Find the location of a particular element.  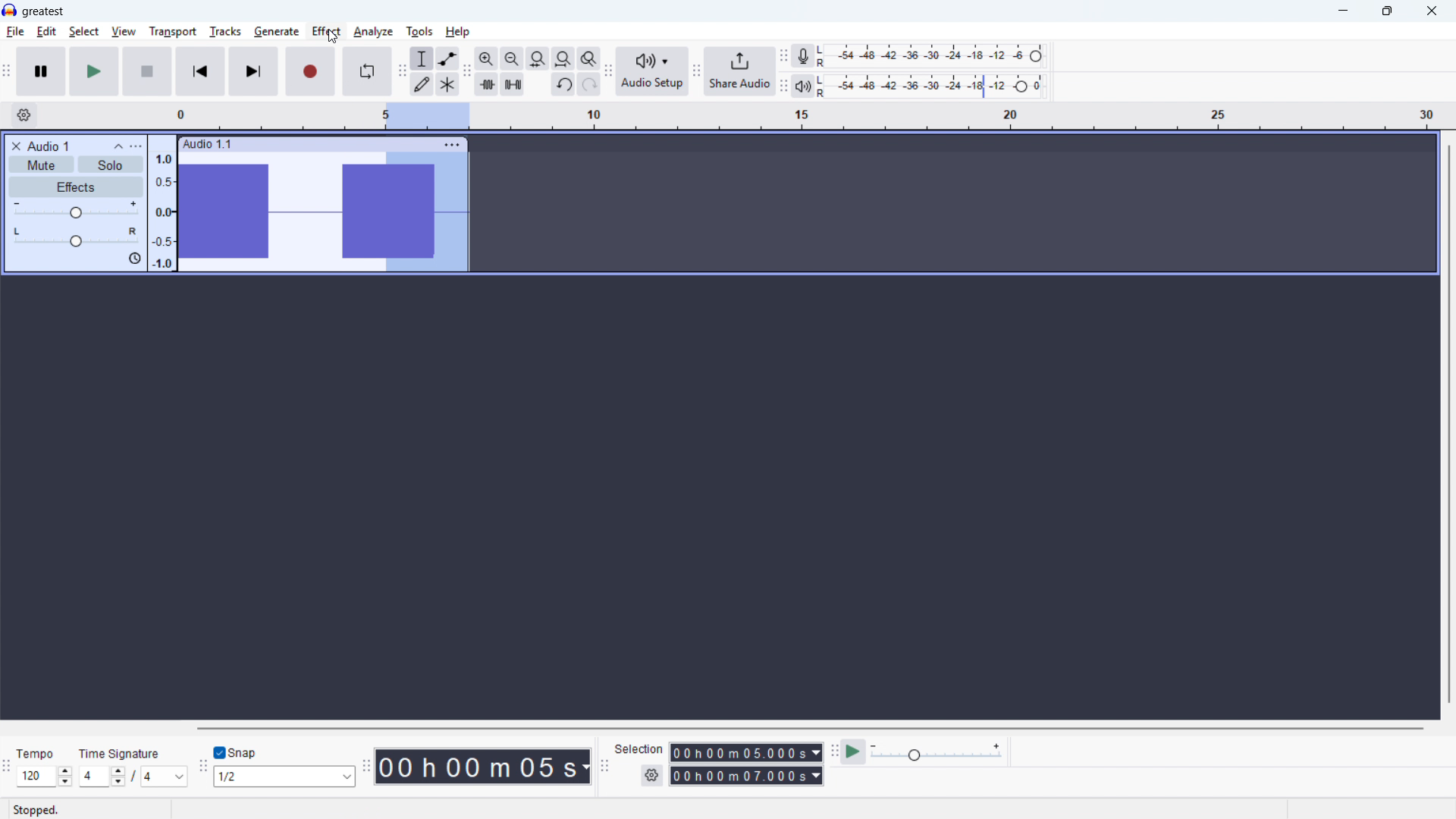

Maximize  is located at coordinates (1387, 11).